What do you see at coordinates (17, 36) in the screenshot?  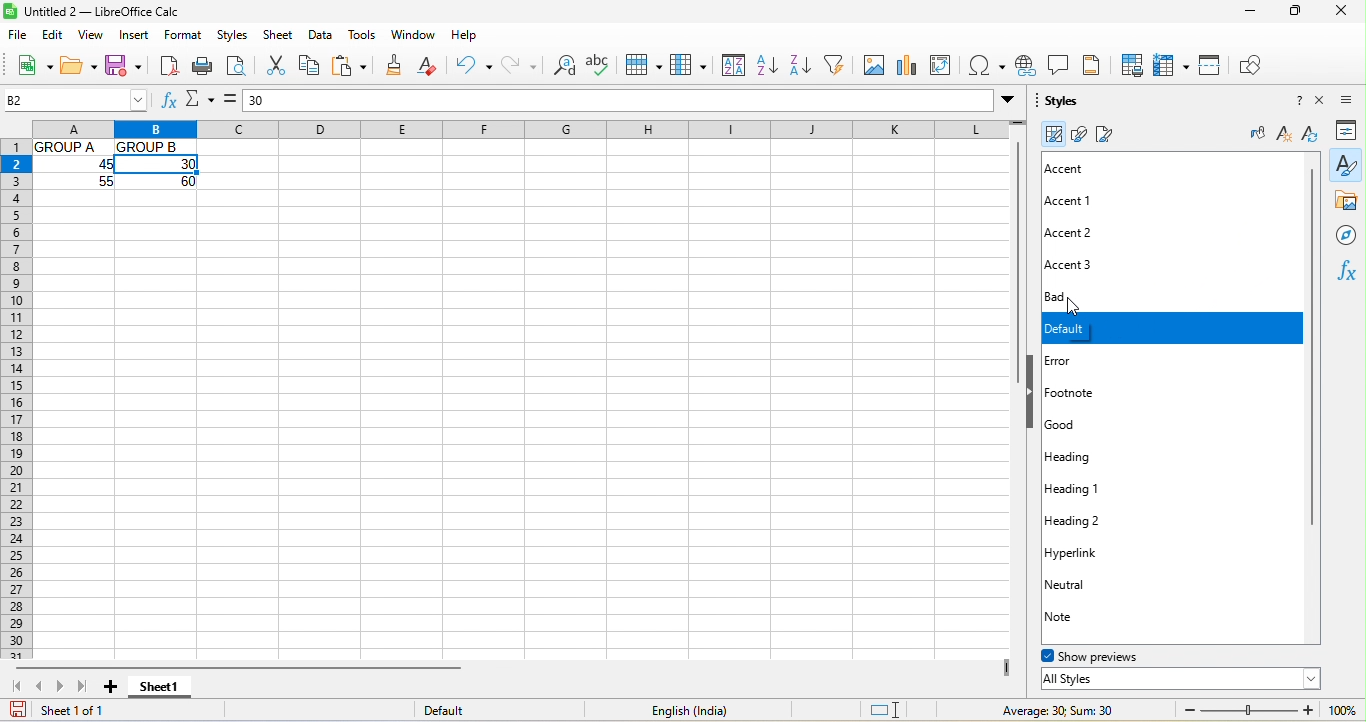 I see `file` at bounding box center [17, 36].